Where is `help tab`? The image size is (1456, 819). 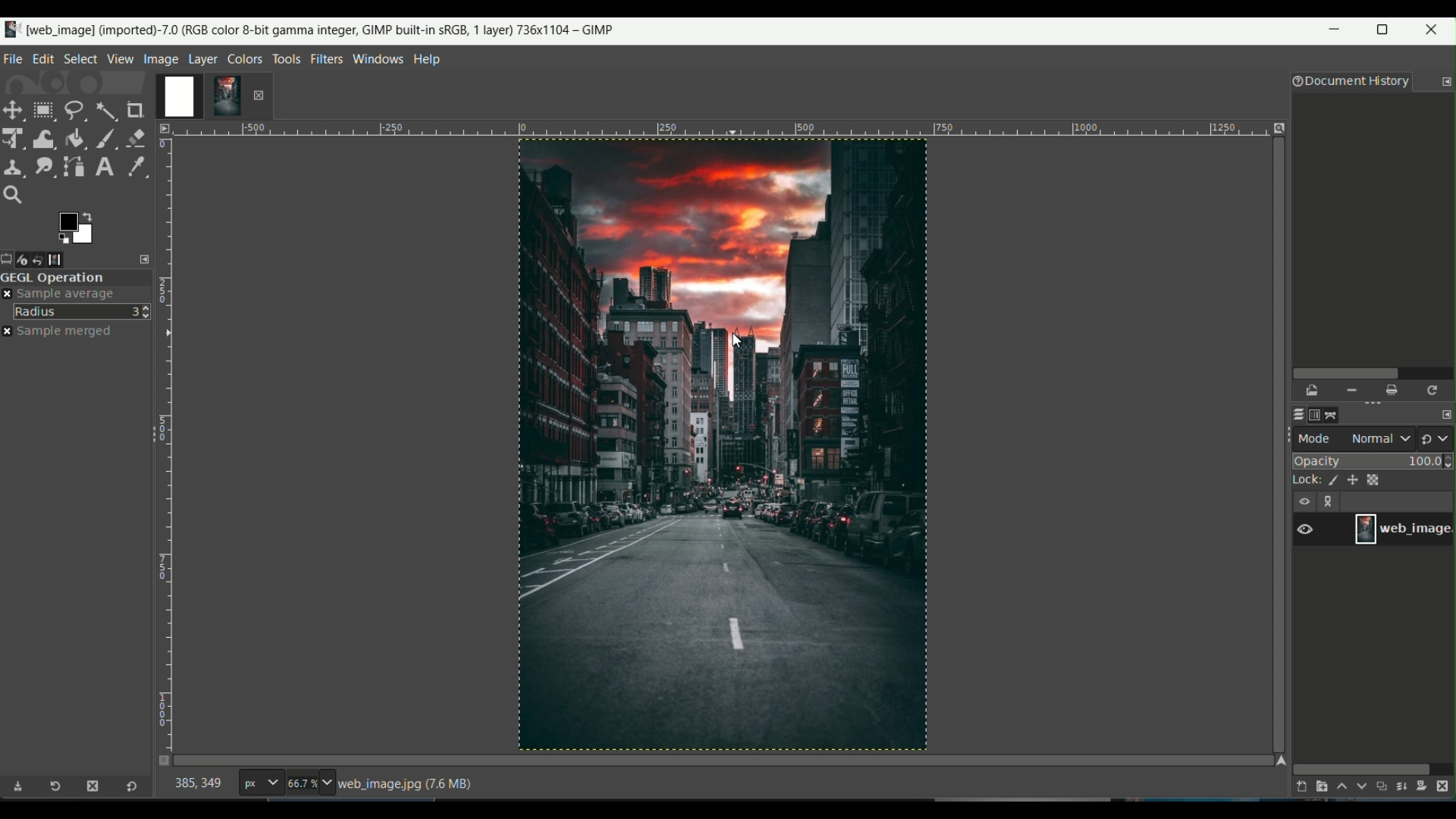
help tab is located at coordinates (428, 58).